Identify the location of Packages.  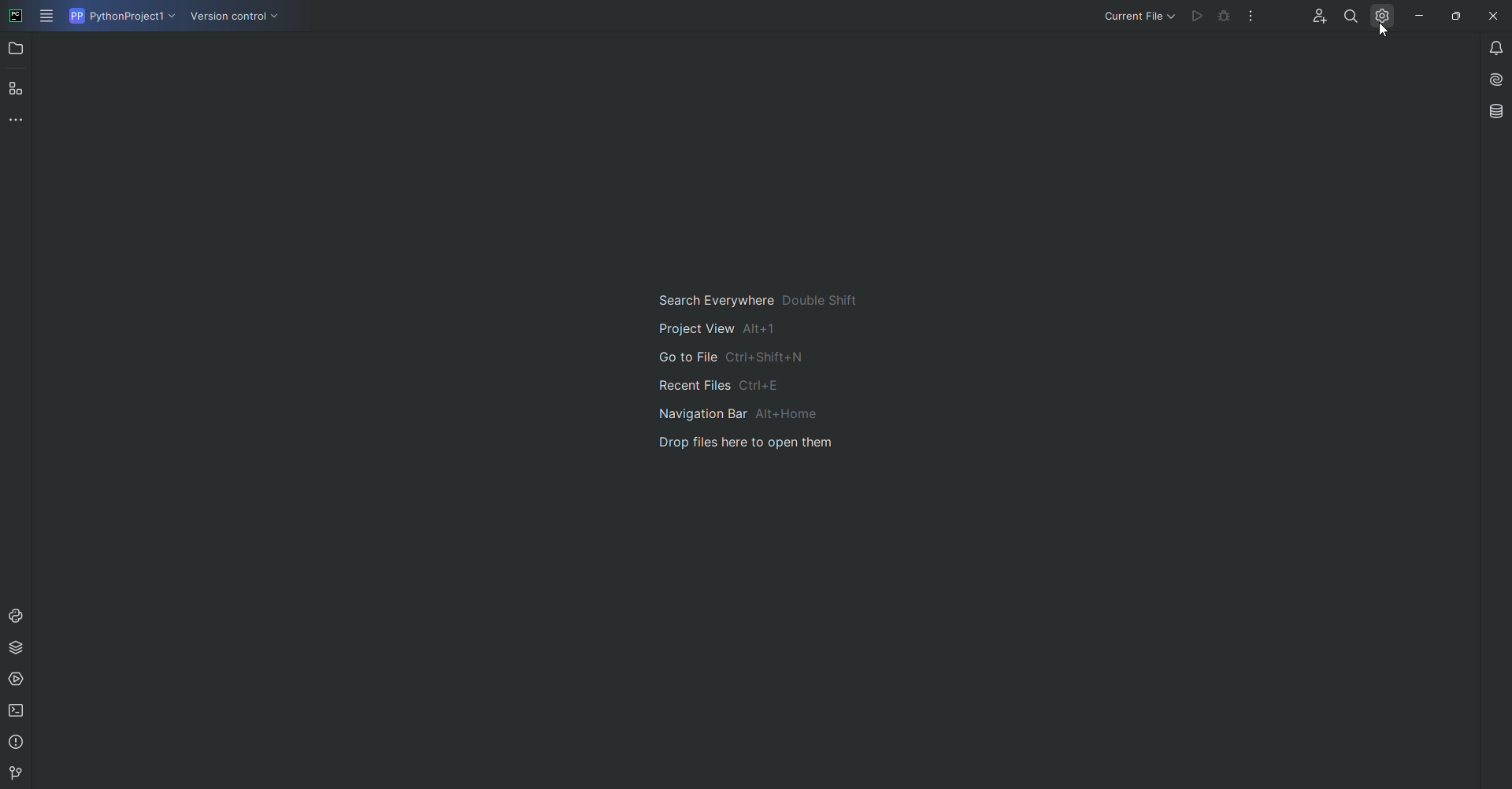
(20, 647).